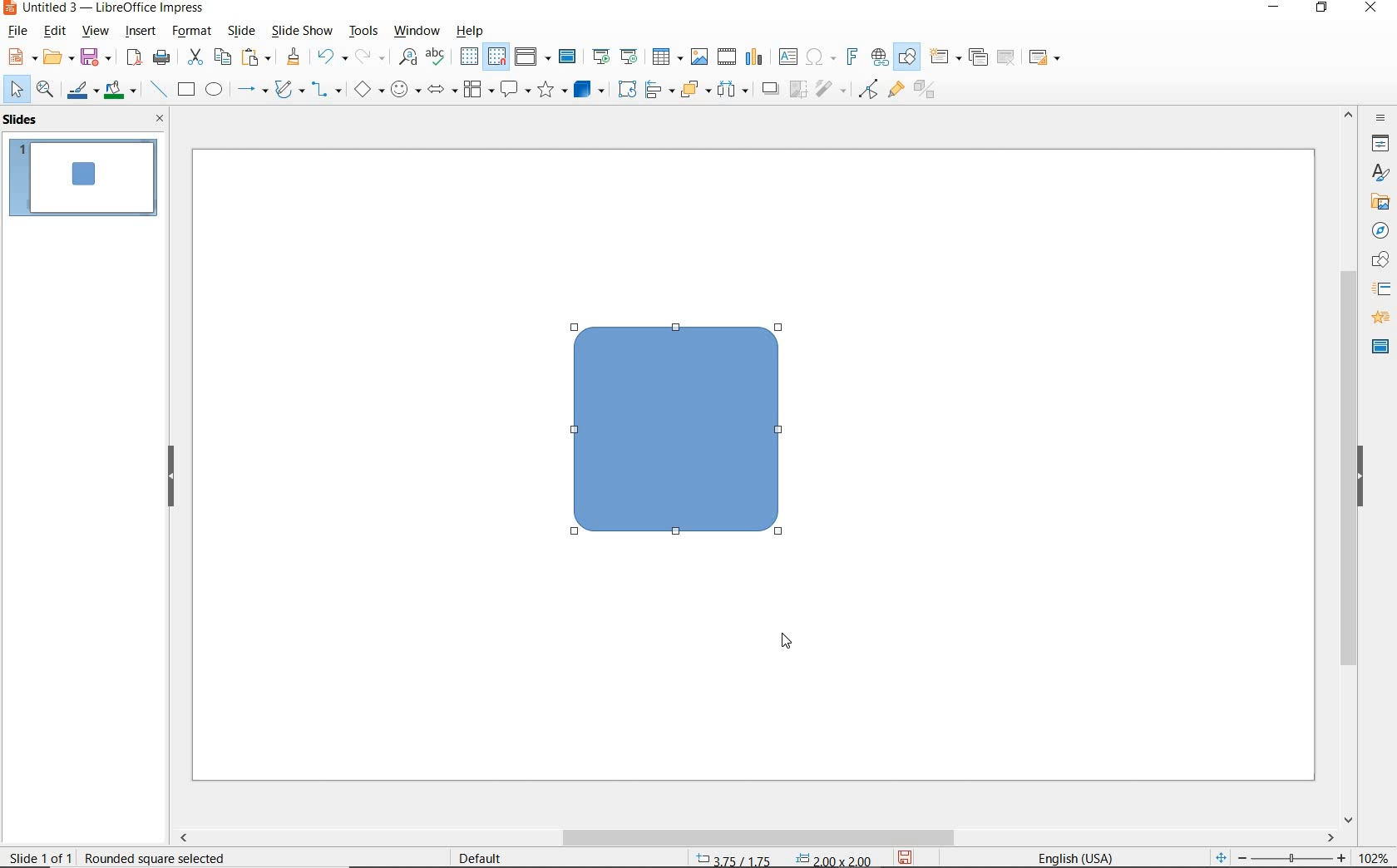  I want to click on start from first slide, so click(602, 54).